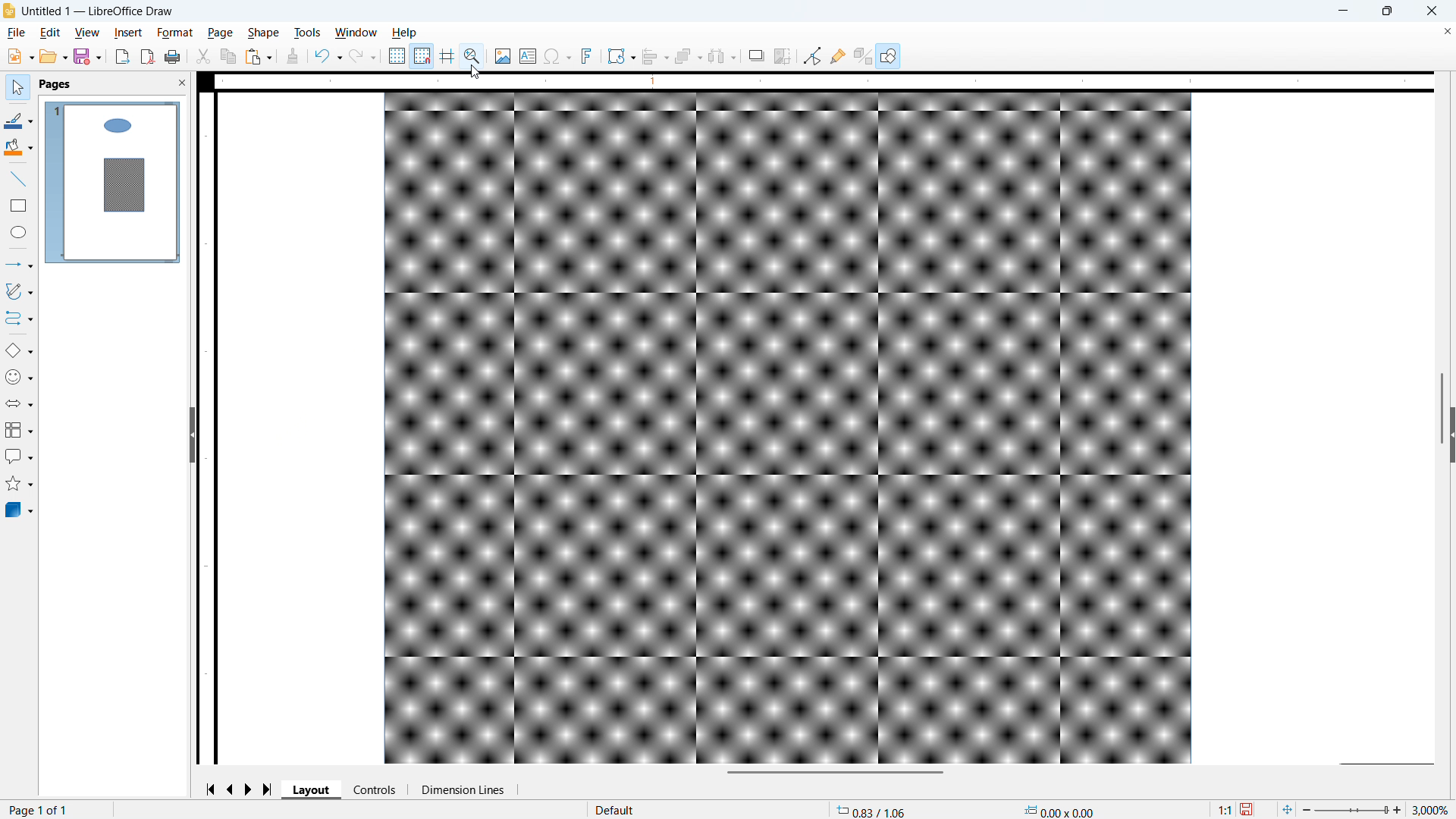  Describe the element at coordinates (473, 55) in the screenshot. I see `Zoom ` at that location.